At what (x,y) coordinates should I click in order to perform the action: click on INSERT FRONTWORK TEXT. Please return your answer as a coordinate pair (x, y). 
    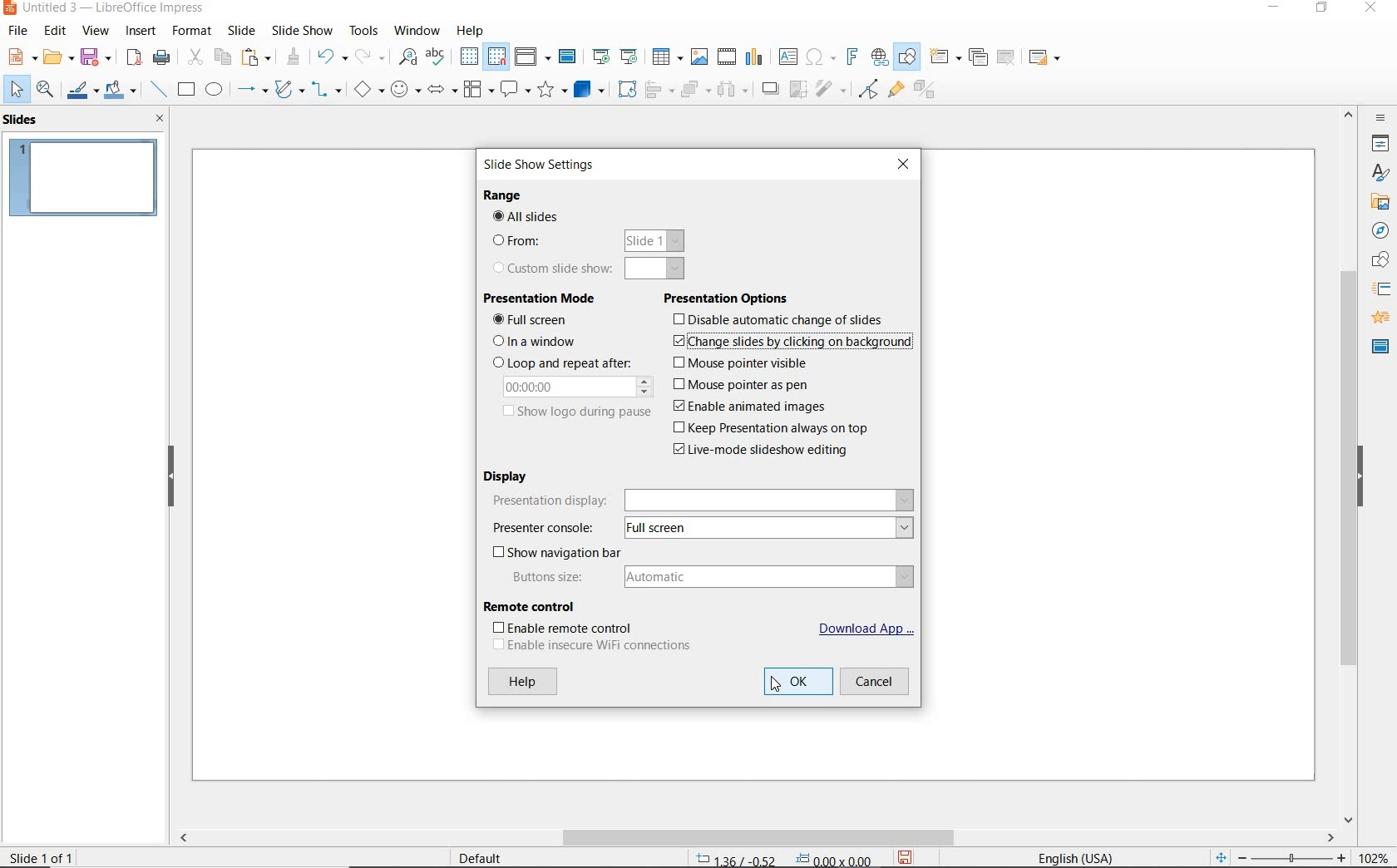
    Looking at the image, I should click on (850, 55).